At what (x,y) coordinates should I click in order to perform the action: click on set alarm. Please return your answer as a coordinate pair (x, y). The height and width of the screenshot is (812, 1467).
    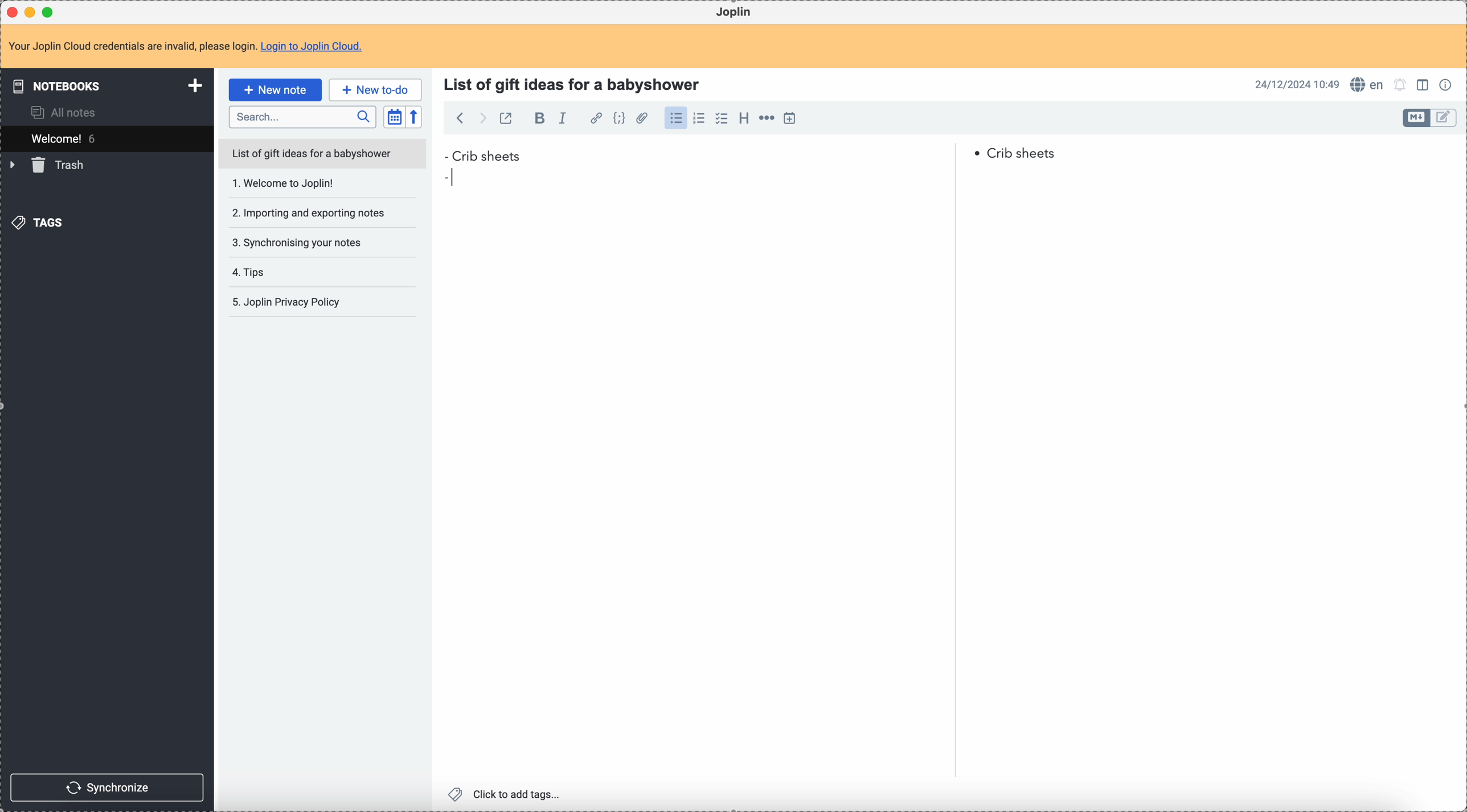
    Looking at the image, I should click on (1400, 85).